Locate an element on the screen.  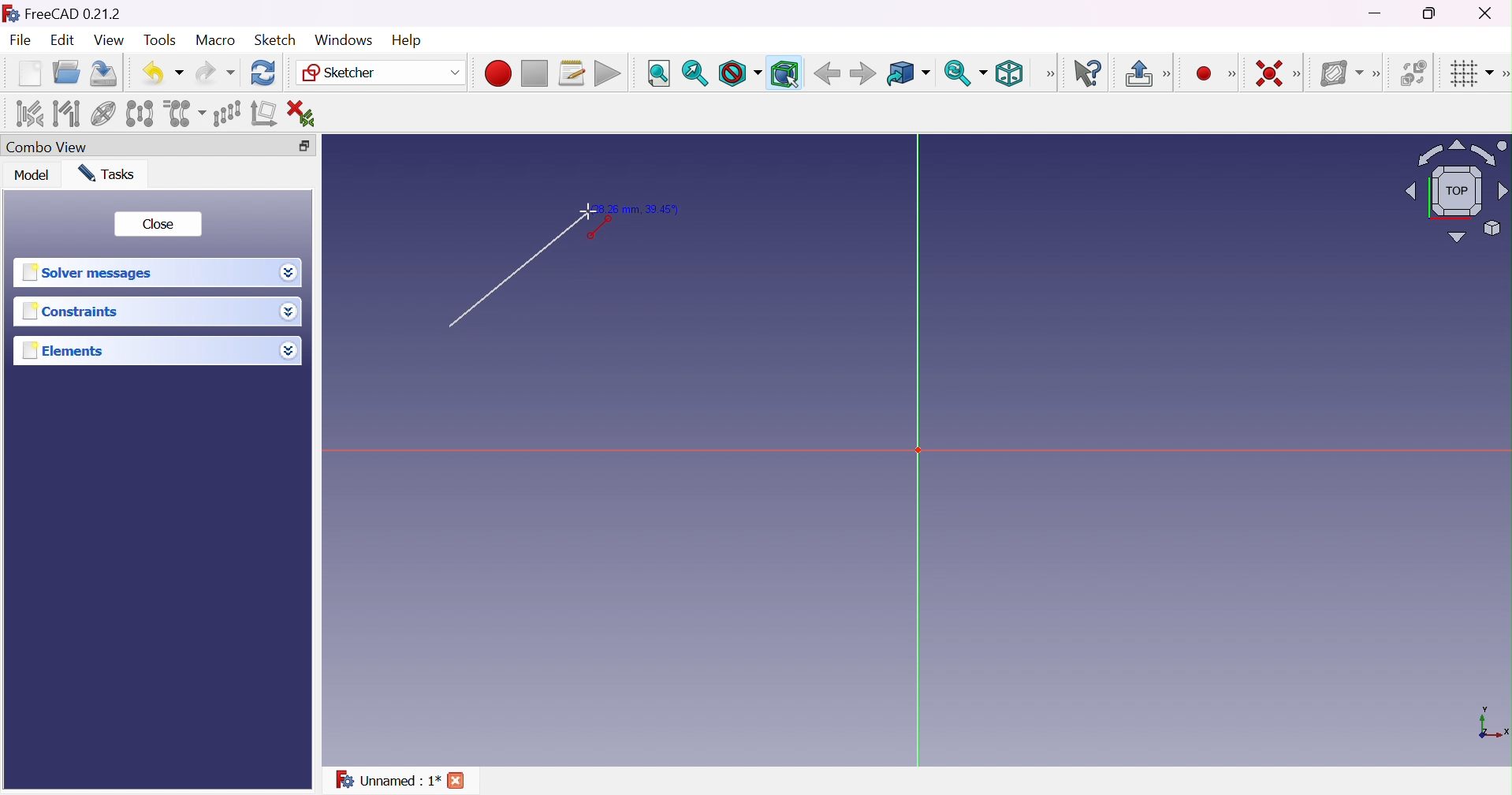
Edit is located at coordinates (61, 41).